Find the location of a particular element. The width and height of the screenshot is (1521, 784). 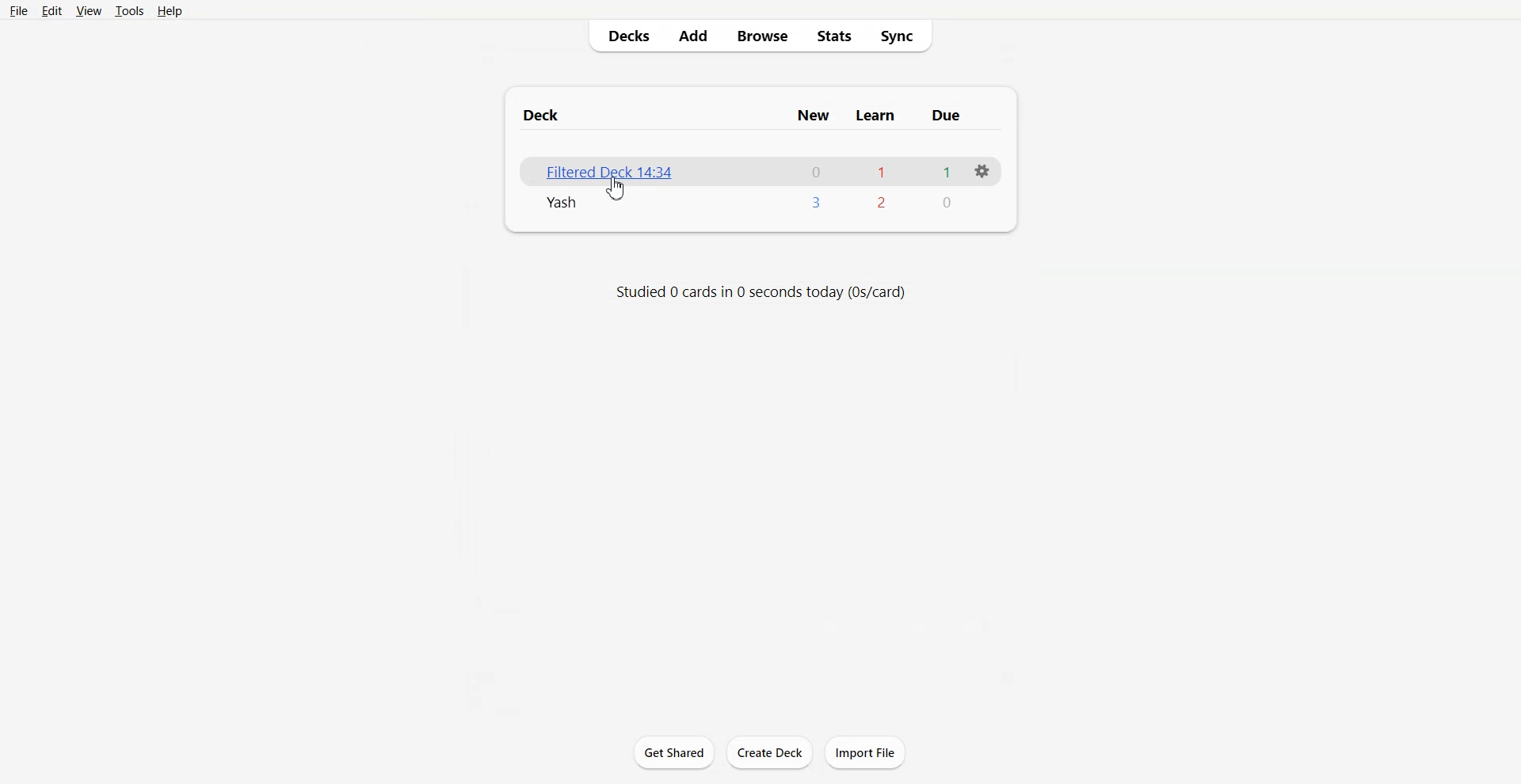

learn is located at coordinates (875, 116).